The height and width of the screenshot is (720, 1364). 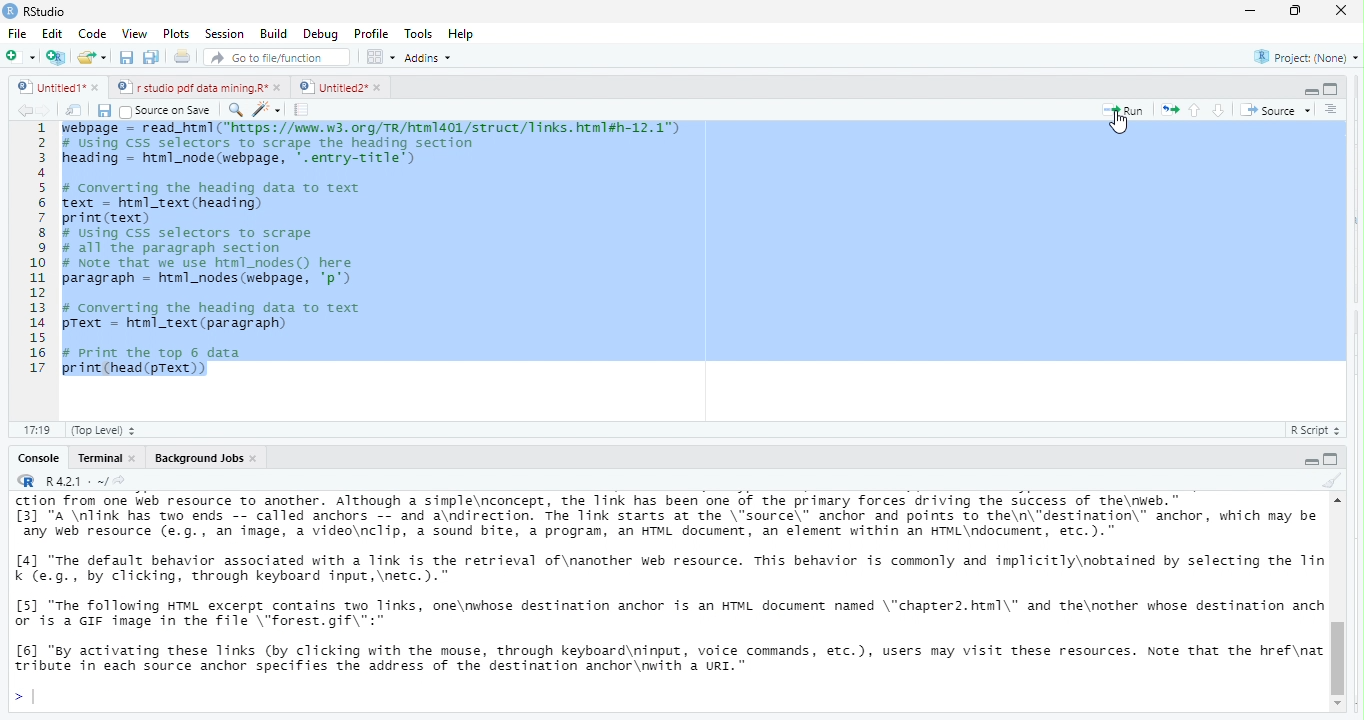 What do you see at coordinates (150, 57) in the screenshot?
I see `save all open document` at bounding box center [150, 57].